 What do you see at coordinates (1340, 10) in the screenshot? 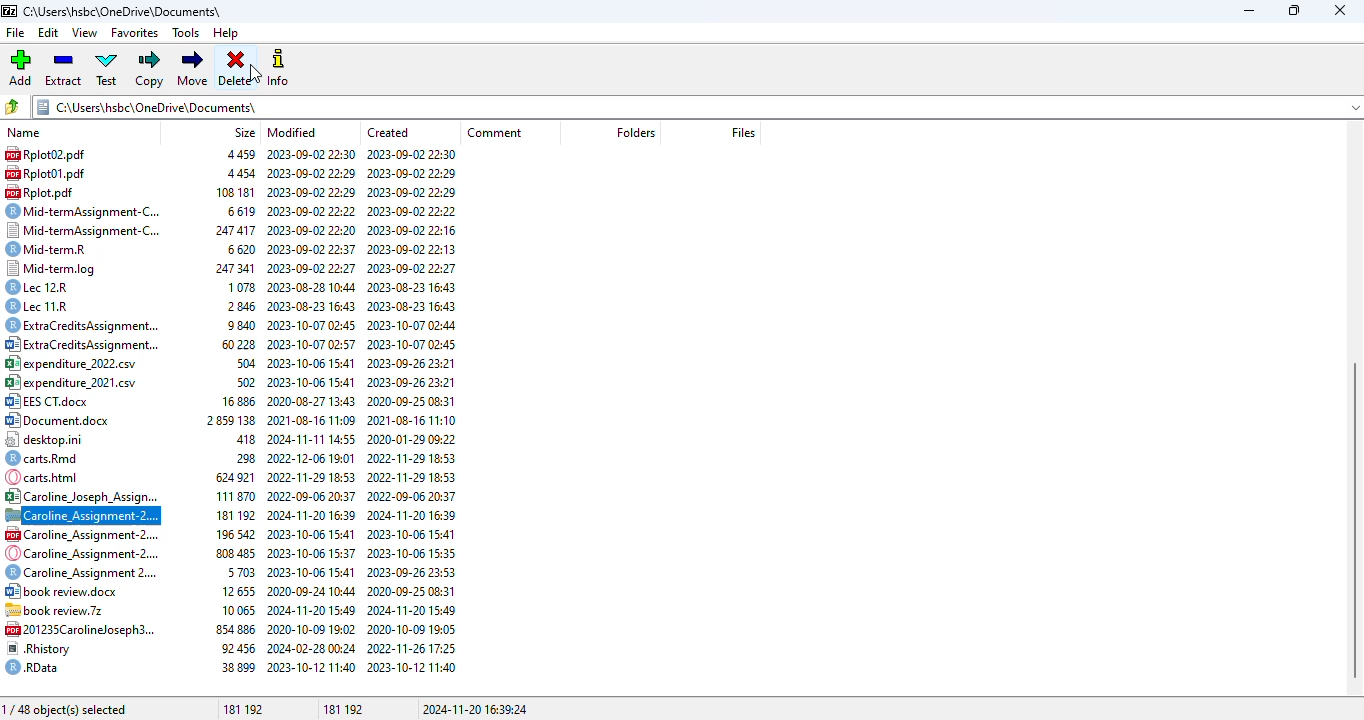
I see `close` at bounding box center [1340, 10].